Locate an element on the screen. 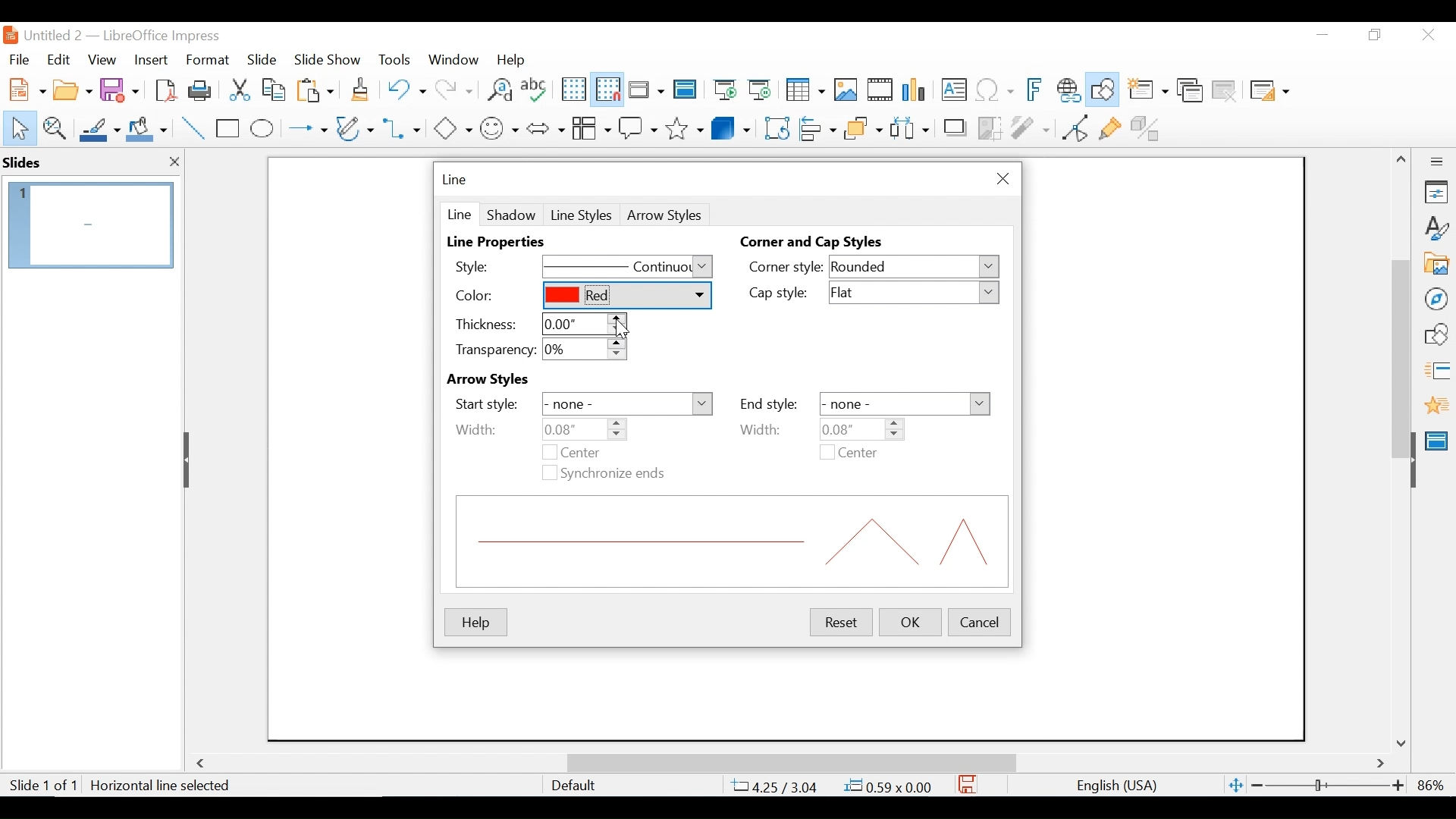  Callout is located at coordinates (638, 127).